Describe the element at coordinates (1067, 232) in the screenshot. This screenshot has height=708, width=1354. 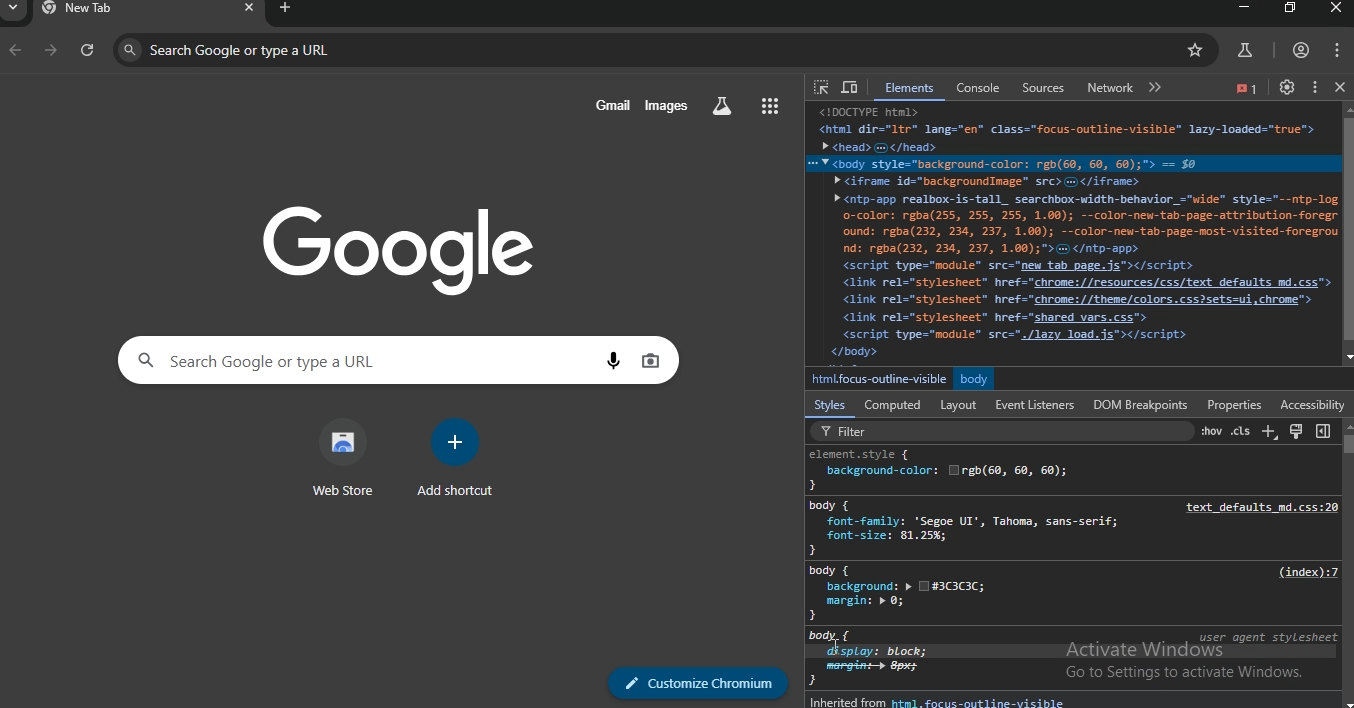
I see `CURRIER Ee<html dir="1tr" lang="en" Class="focus-outline-visible" lazy-loaded="true">> chead> </head><body style="background-color: reb(€0, 60, 60);"> = $0» <iframe id-"backgroundInage® src> </iframe>» <ntp-app realbox-is-tall_ searchbox-width-behavior_~wide® style="--ntp-Lo-color: rgba(2ss, 255, 255, 1.90); --color-neu-tab-page-attribution-foreound: rgba(232, 234, 237, 1.00); --color-new-tab-page-most-visited-foregrnd: rgba(232, 234, 237, 1.00);">G </ntp-app><script type="module” src="new tab page.js"></script><1ink rel="stylesheet" href-"chrome://resources/css/text defaults md.css"<Link rel="stylesheet" href="chrone://theme/colors.css2sets=ui,chrome"><link rel="stylesheet” href-"shared vars.css"><script type="module” src="/lazy load. is"></script><body>` at that location.